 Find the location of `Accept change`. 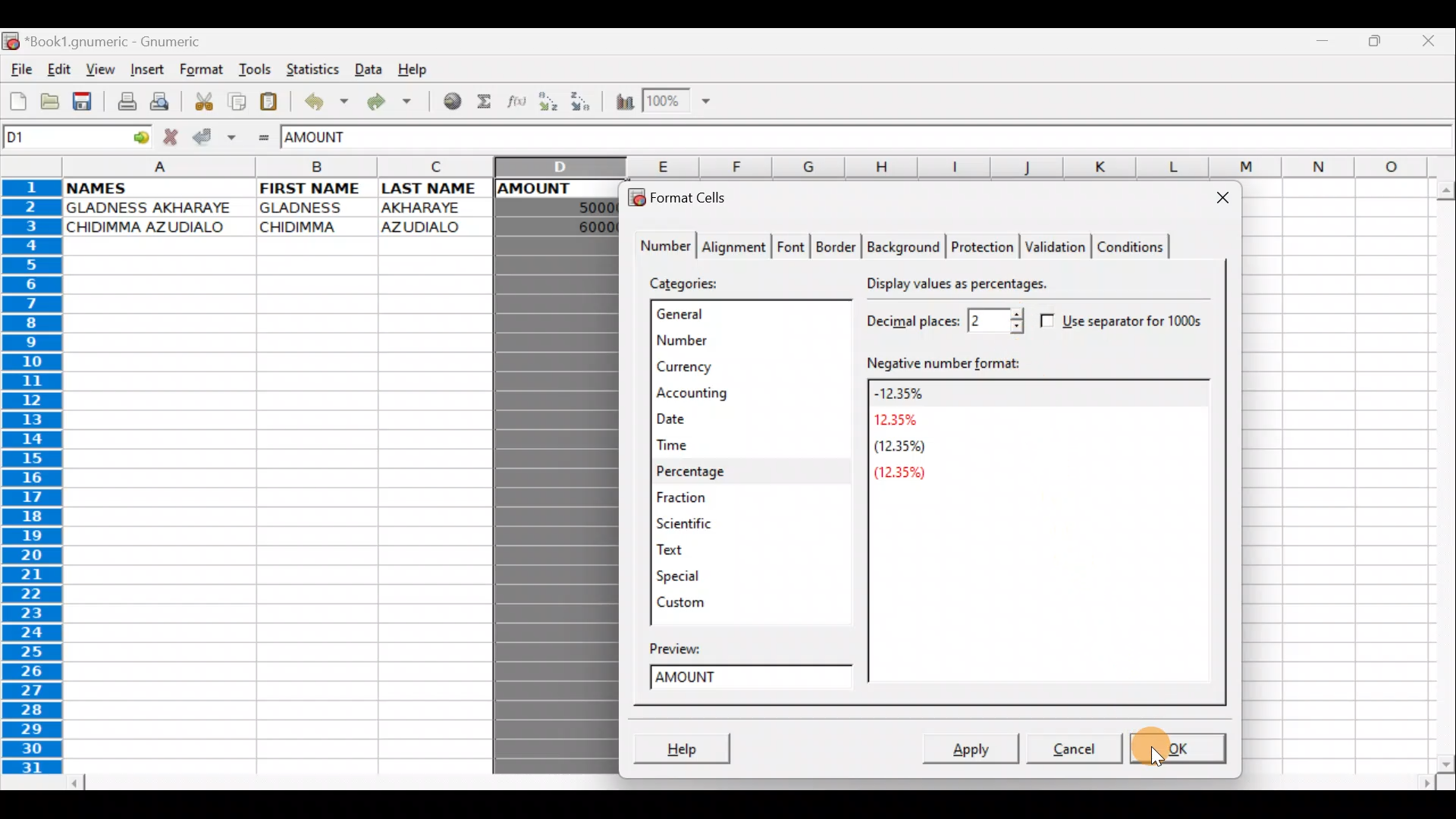

Accept change is located at coordinates (213, 137).